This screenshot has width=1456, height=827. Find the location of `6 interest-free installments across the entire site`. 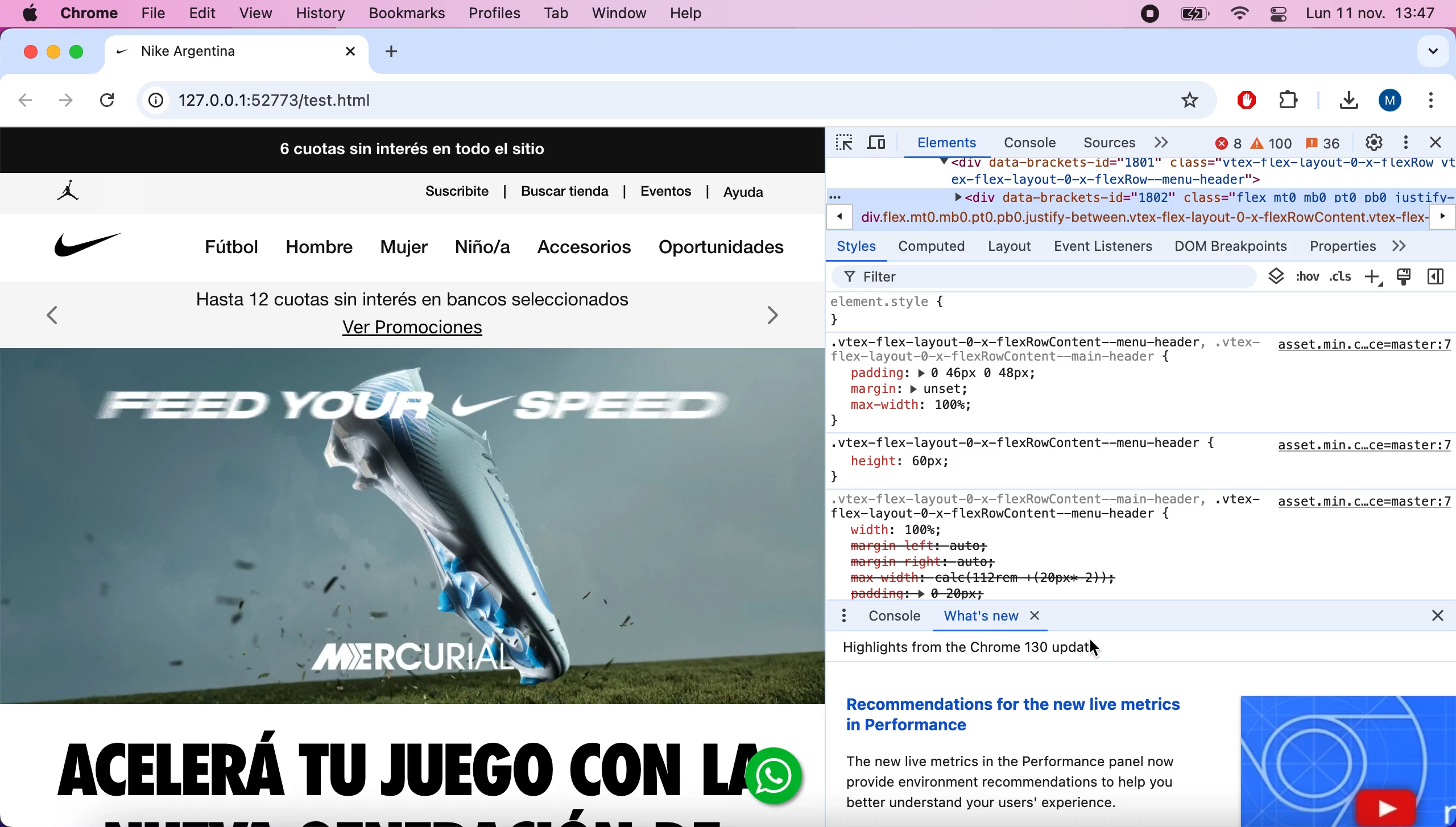

6 interest-free installments across the entire site is located at coordinates (412, 148).